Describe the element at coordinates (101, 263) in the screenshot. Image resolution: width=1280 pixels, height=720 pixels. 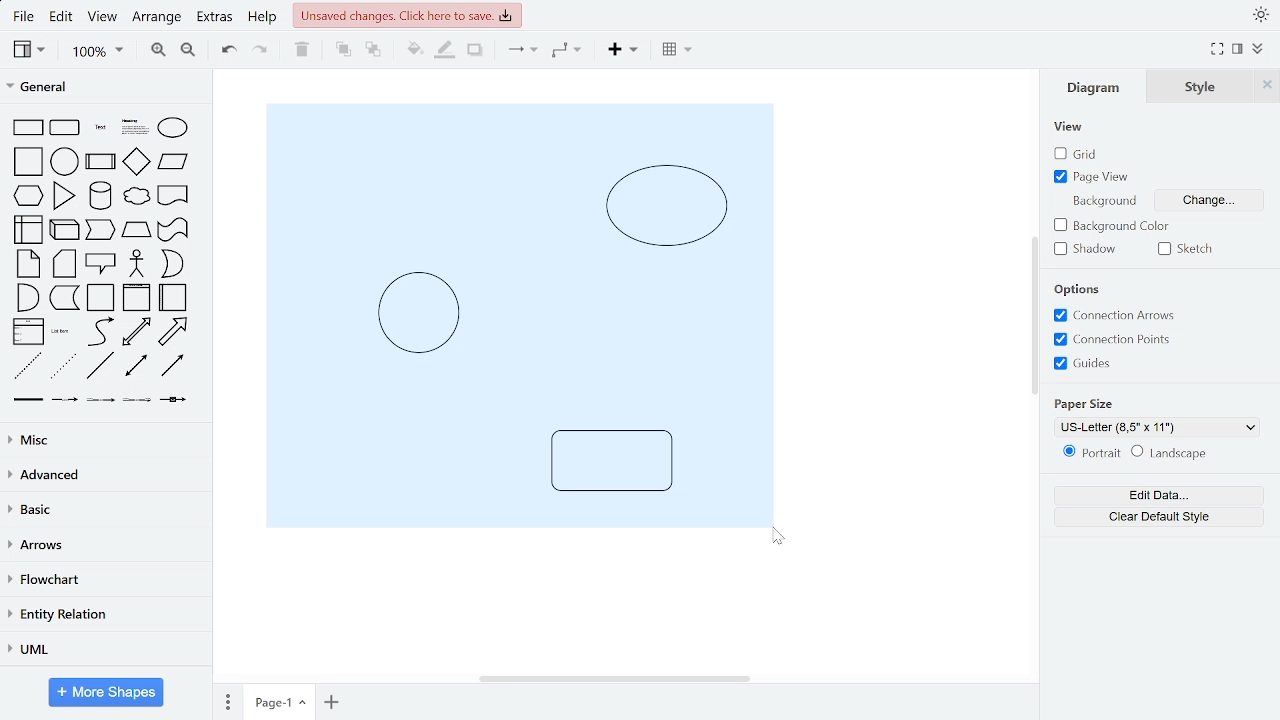
I see `callout` at that location.